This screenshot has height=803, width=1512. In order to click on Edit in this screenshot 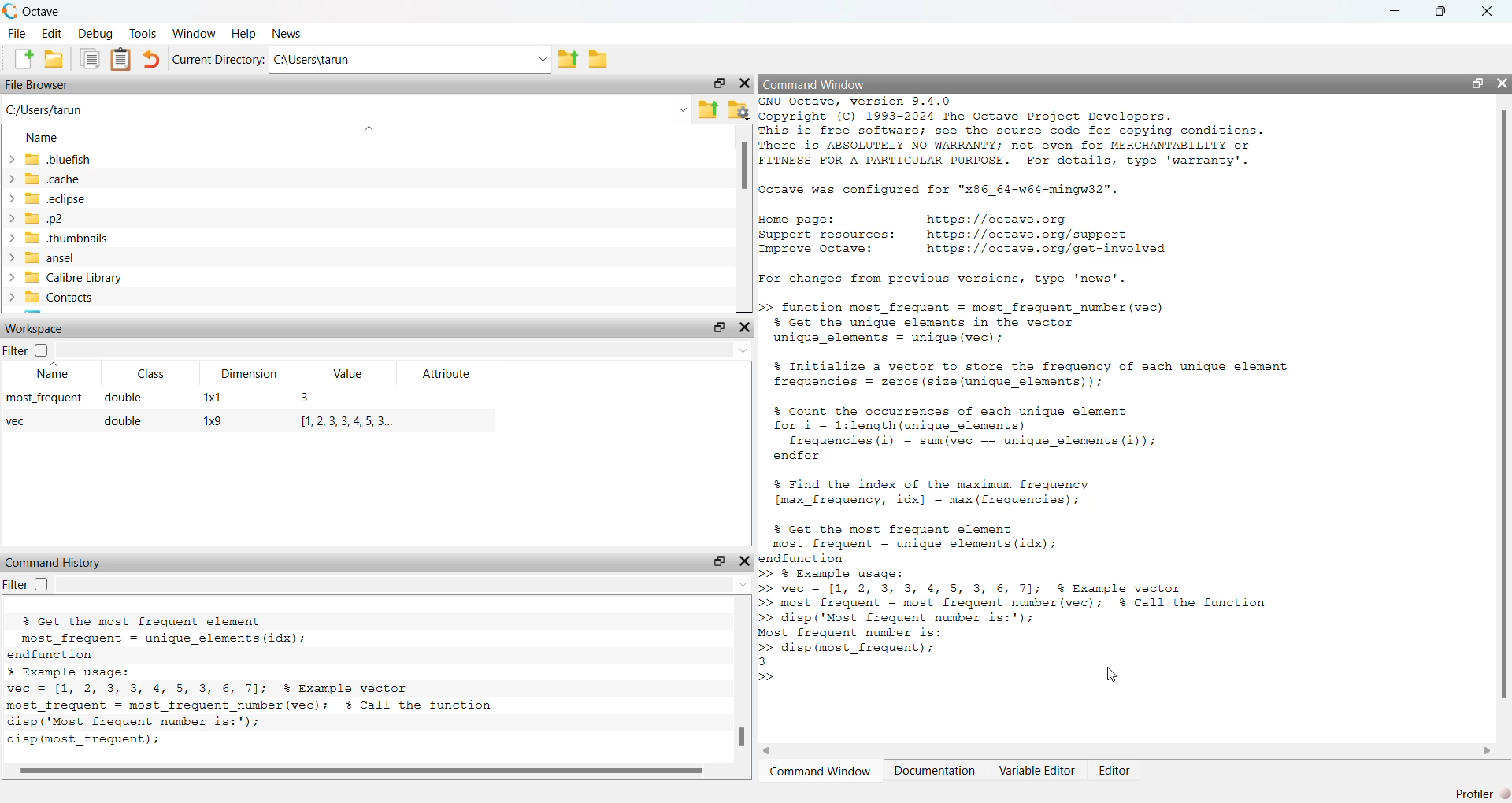, I will do `click(52, 32)`.